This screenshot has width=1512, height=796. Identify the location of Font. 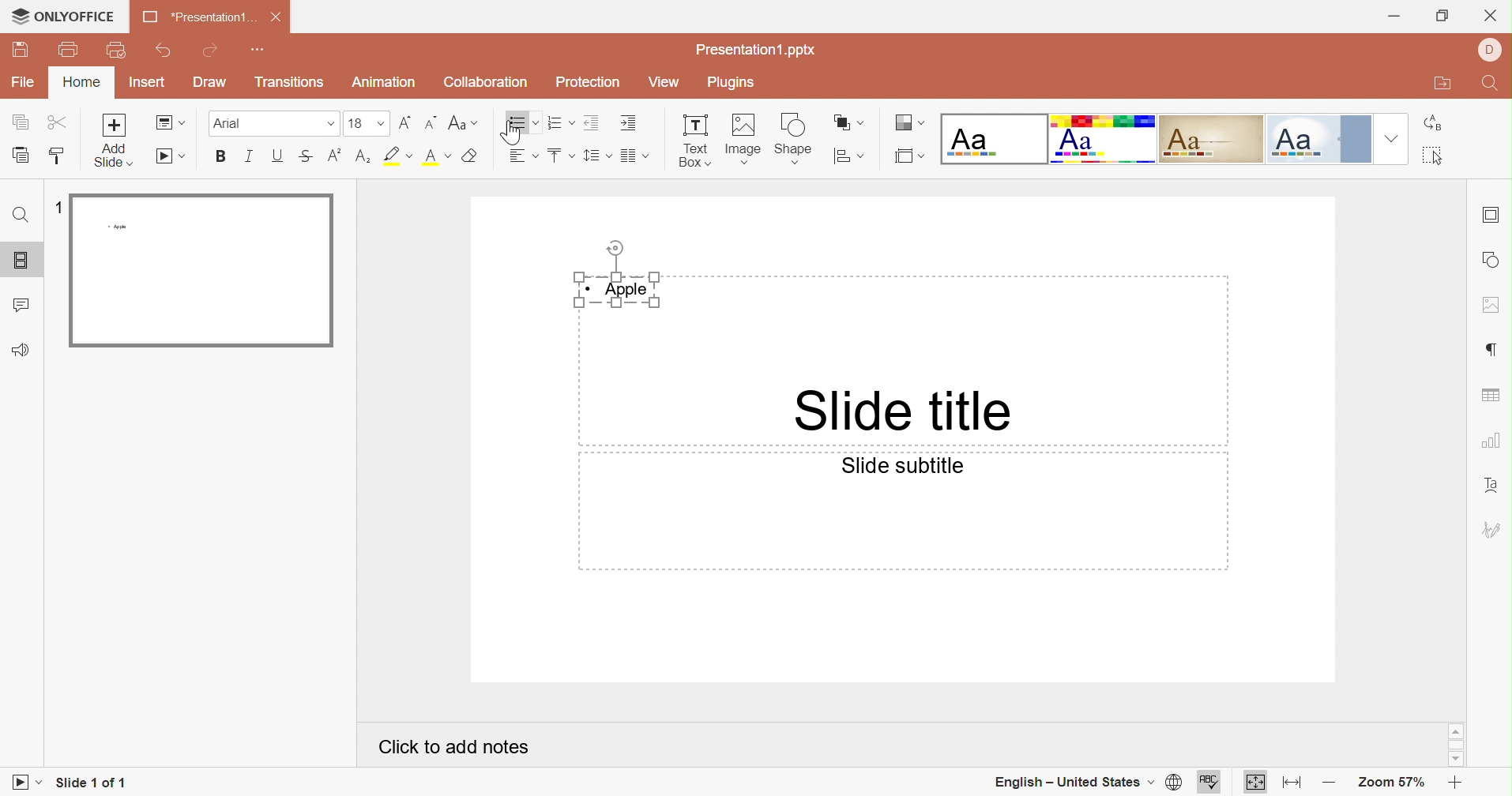
(231, 124).